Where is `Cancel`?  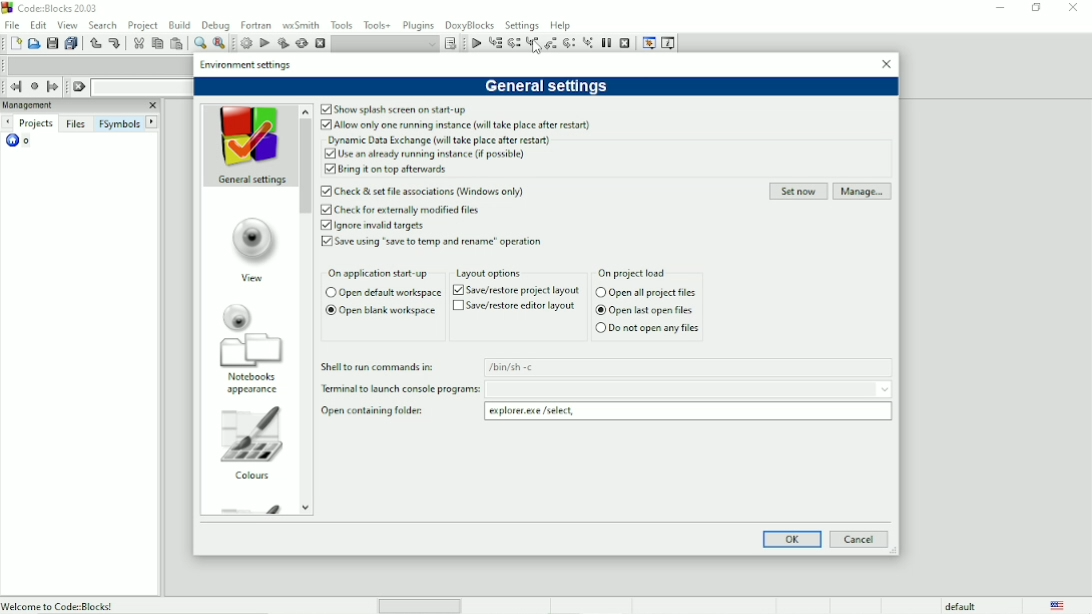 Cancel is located at coordinates (862, 539).